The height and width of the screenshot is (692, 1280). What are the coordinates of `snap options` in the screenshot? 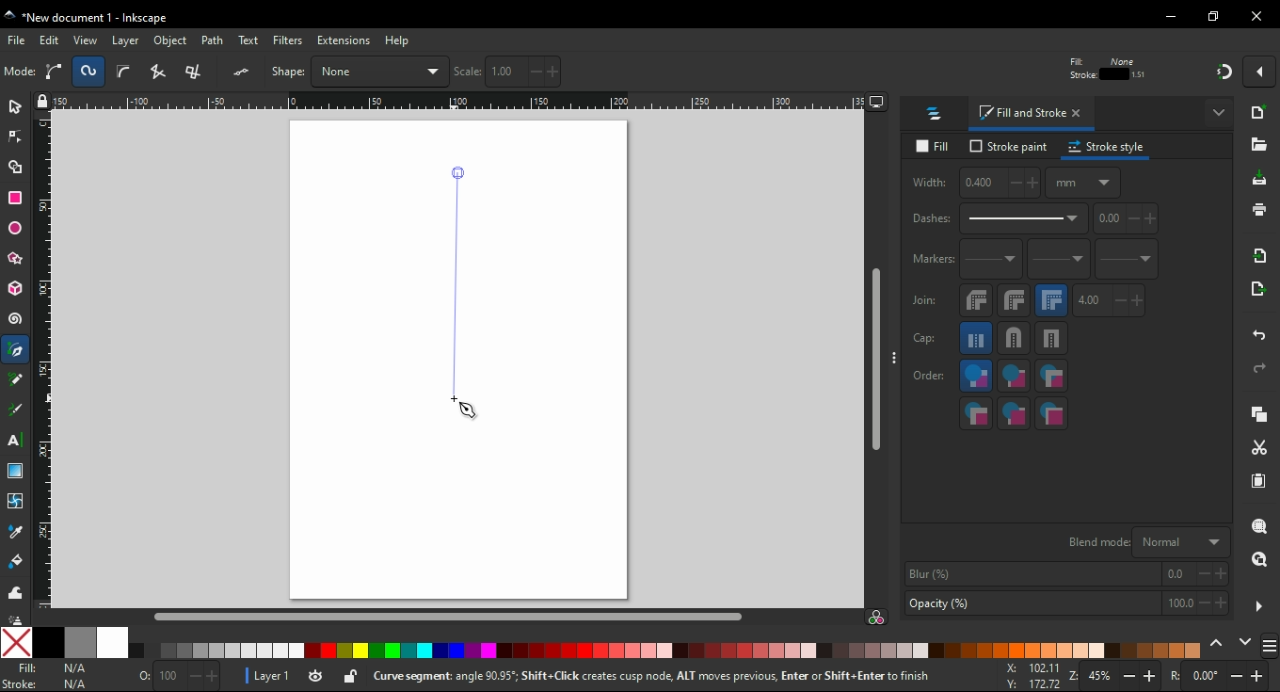 It's located at (1262, 70).